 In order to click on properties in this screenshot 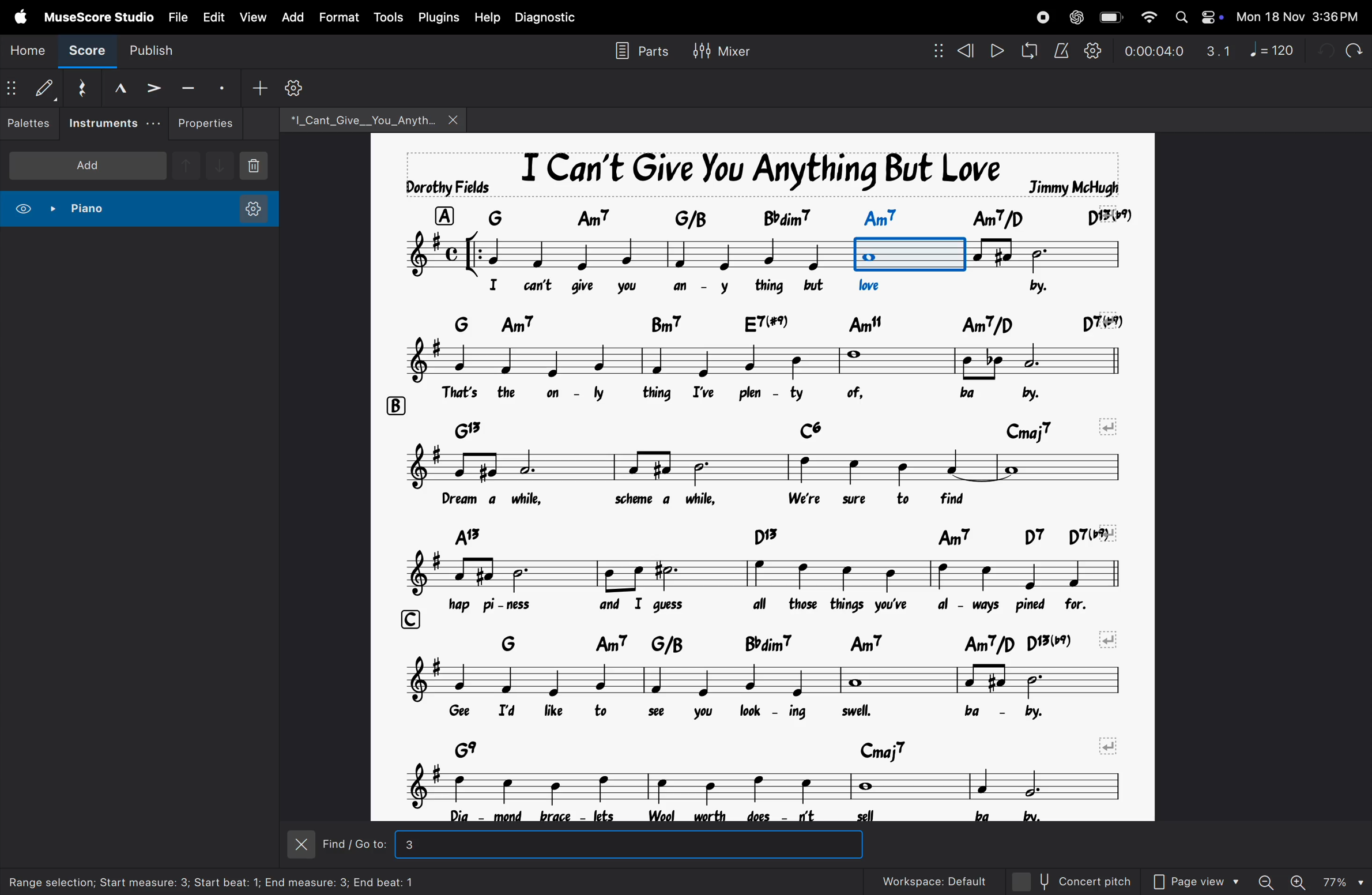, I will do `click(208, 123)`.